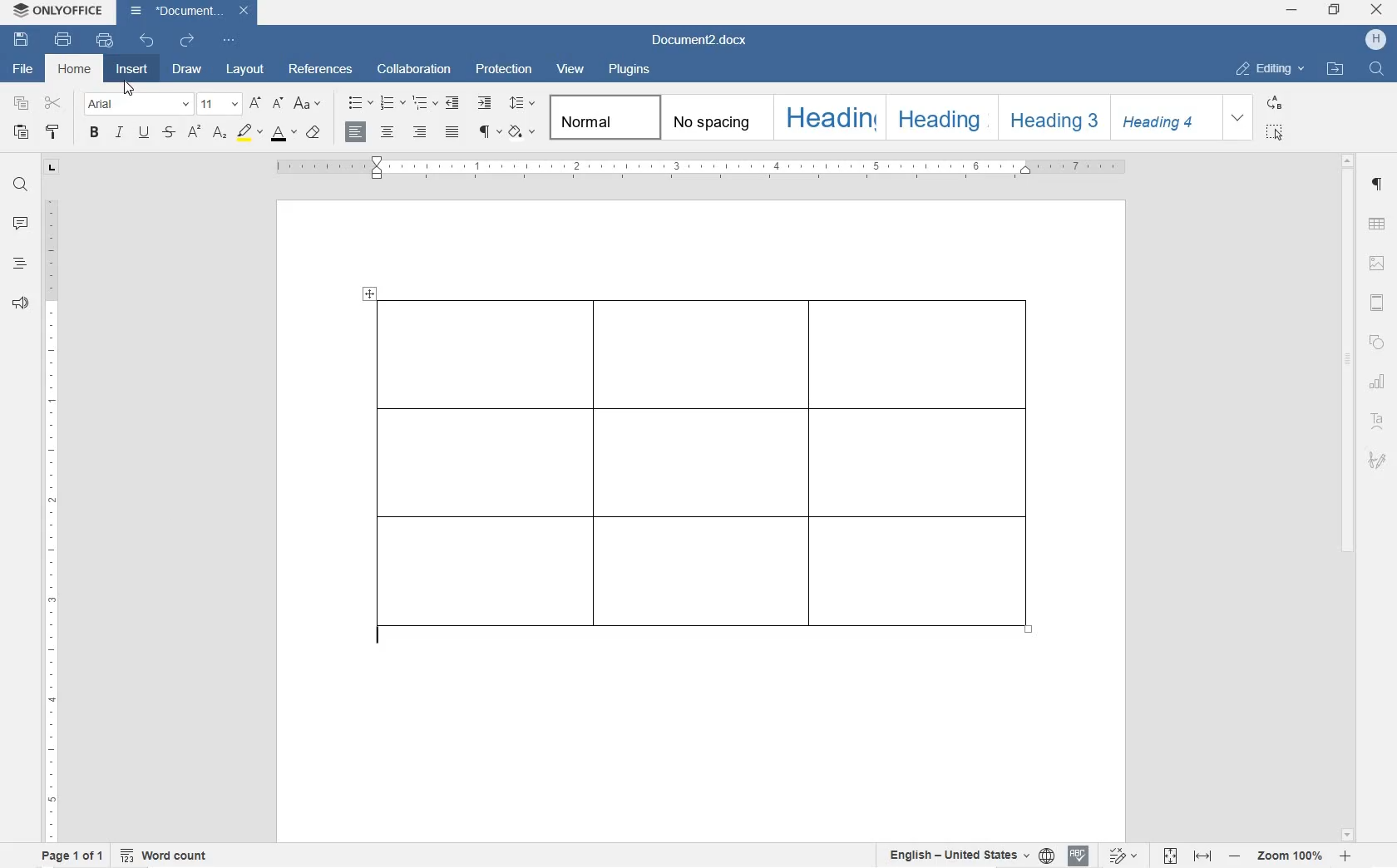  What do you see at coordinates (20, 264) in the screenshot?
I see `headings` at bounding box center [20, 264].